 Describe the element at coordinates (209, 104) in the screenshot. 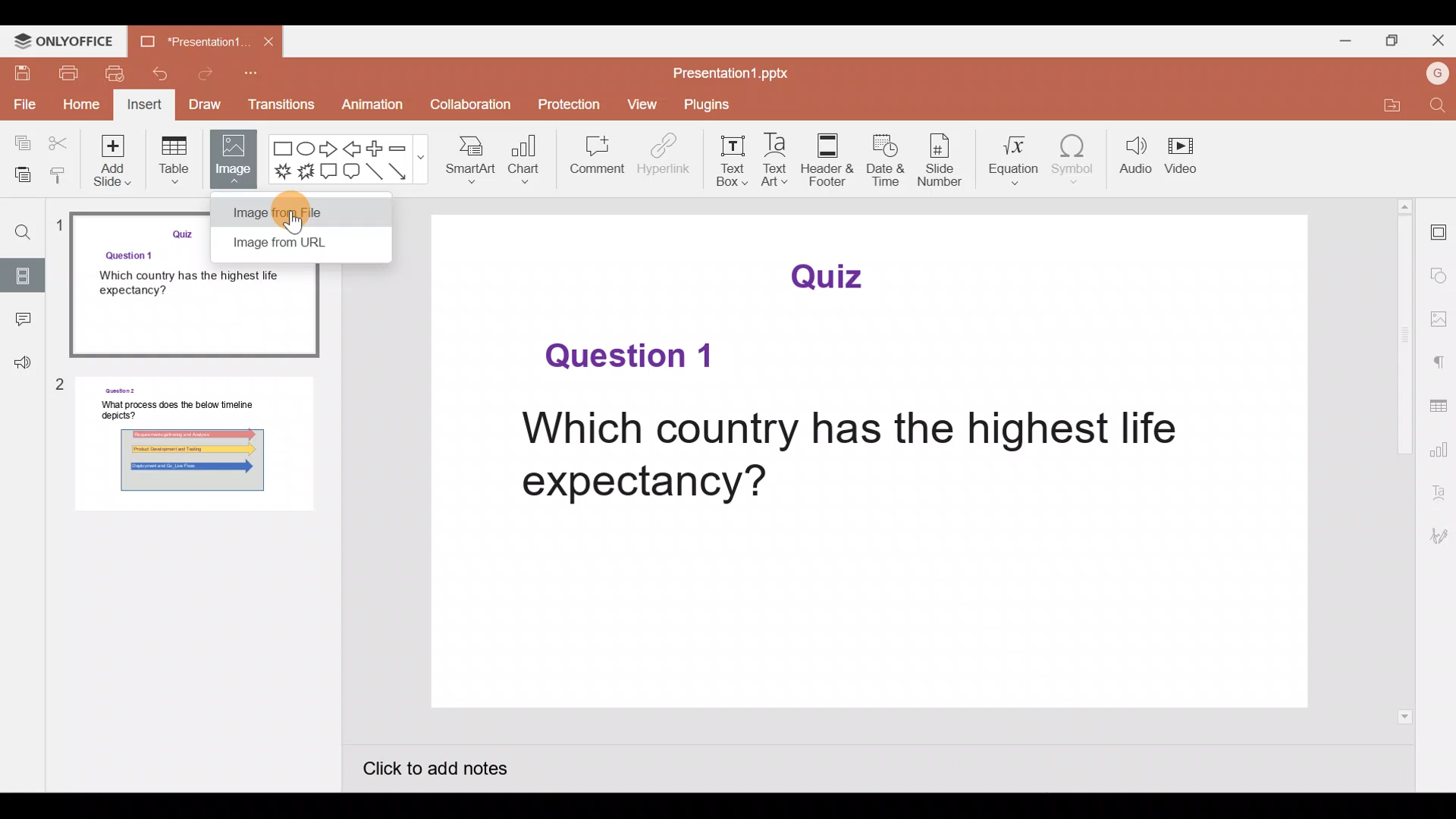

I see `Draw` at that location.